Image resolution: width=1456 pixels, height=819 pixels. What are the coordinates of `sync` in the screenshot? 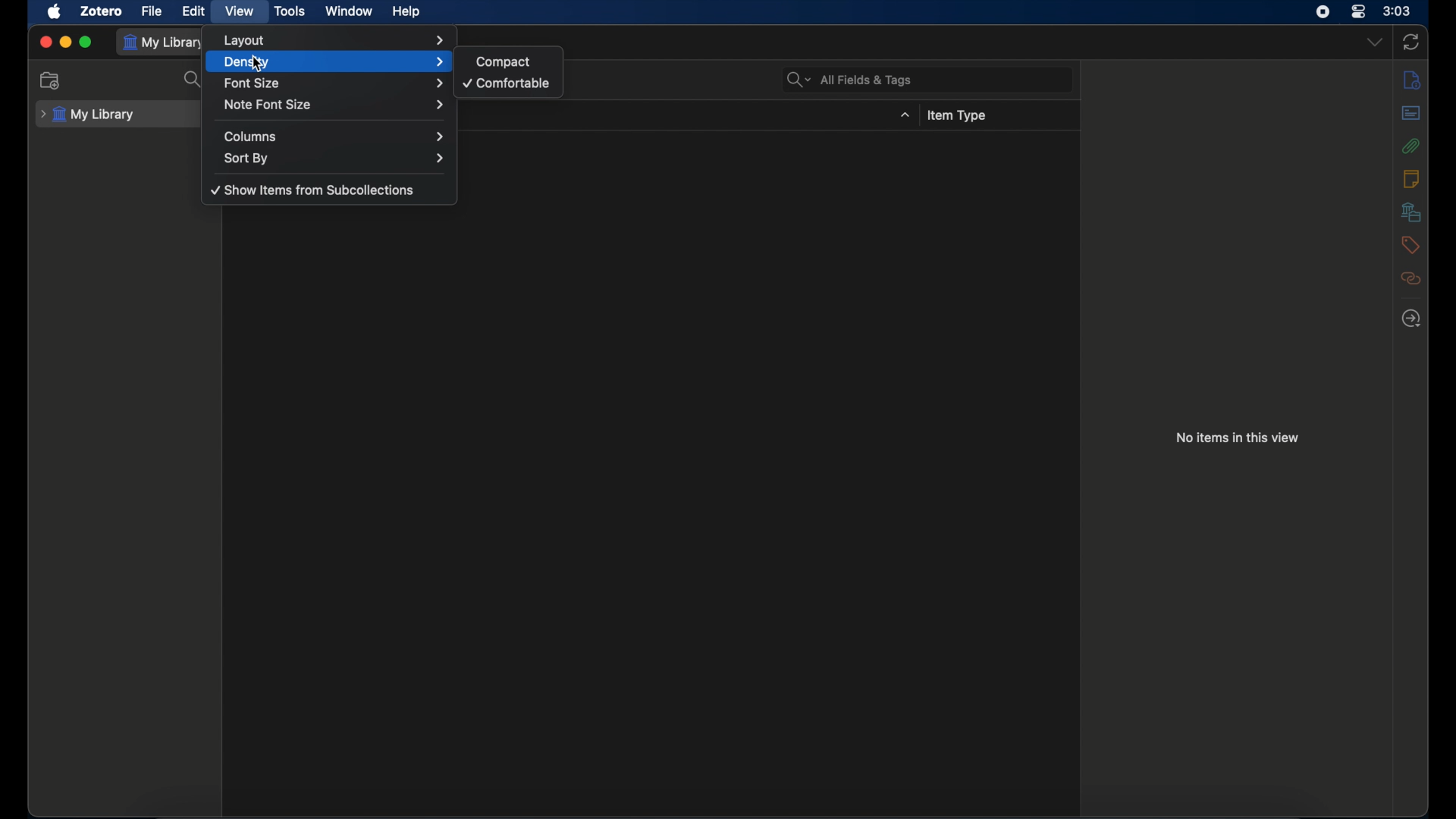 It's located at (1411, 42).